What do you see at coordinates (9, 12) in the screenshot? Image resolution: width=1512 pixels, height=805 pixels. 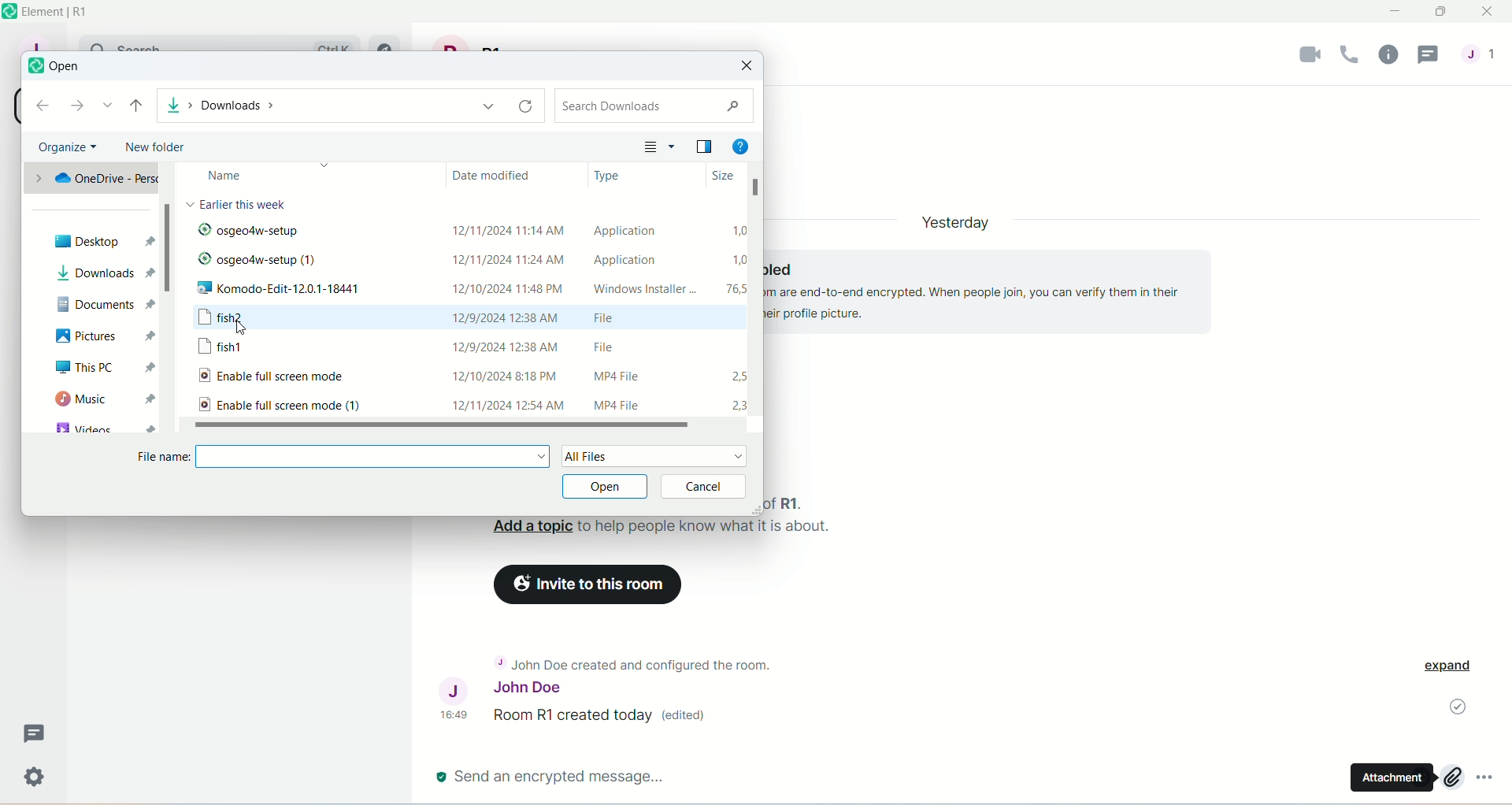 I see `logo` at bounding box center [9, 12].